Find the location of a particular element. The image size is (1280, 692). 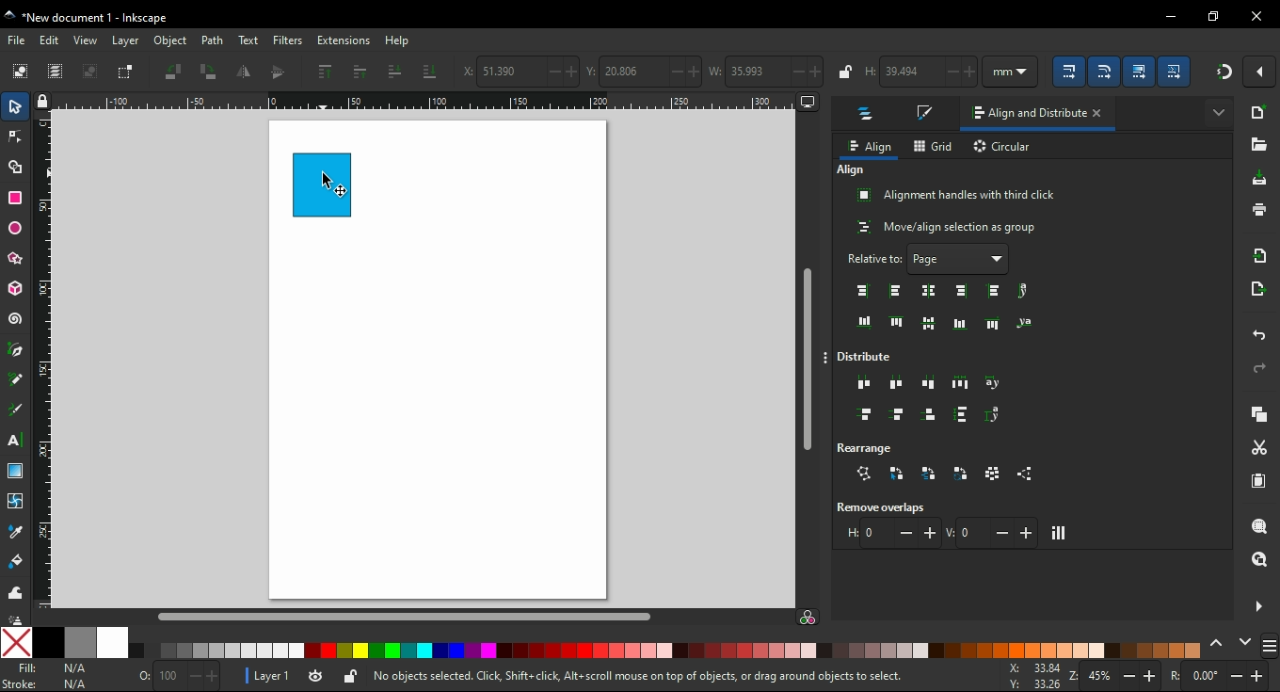

text is located at coordinates (247, 41).